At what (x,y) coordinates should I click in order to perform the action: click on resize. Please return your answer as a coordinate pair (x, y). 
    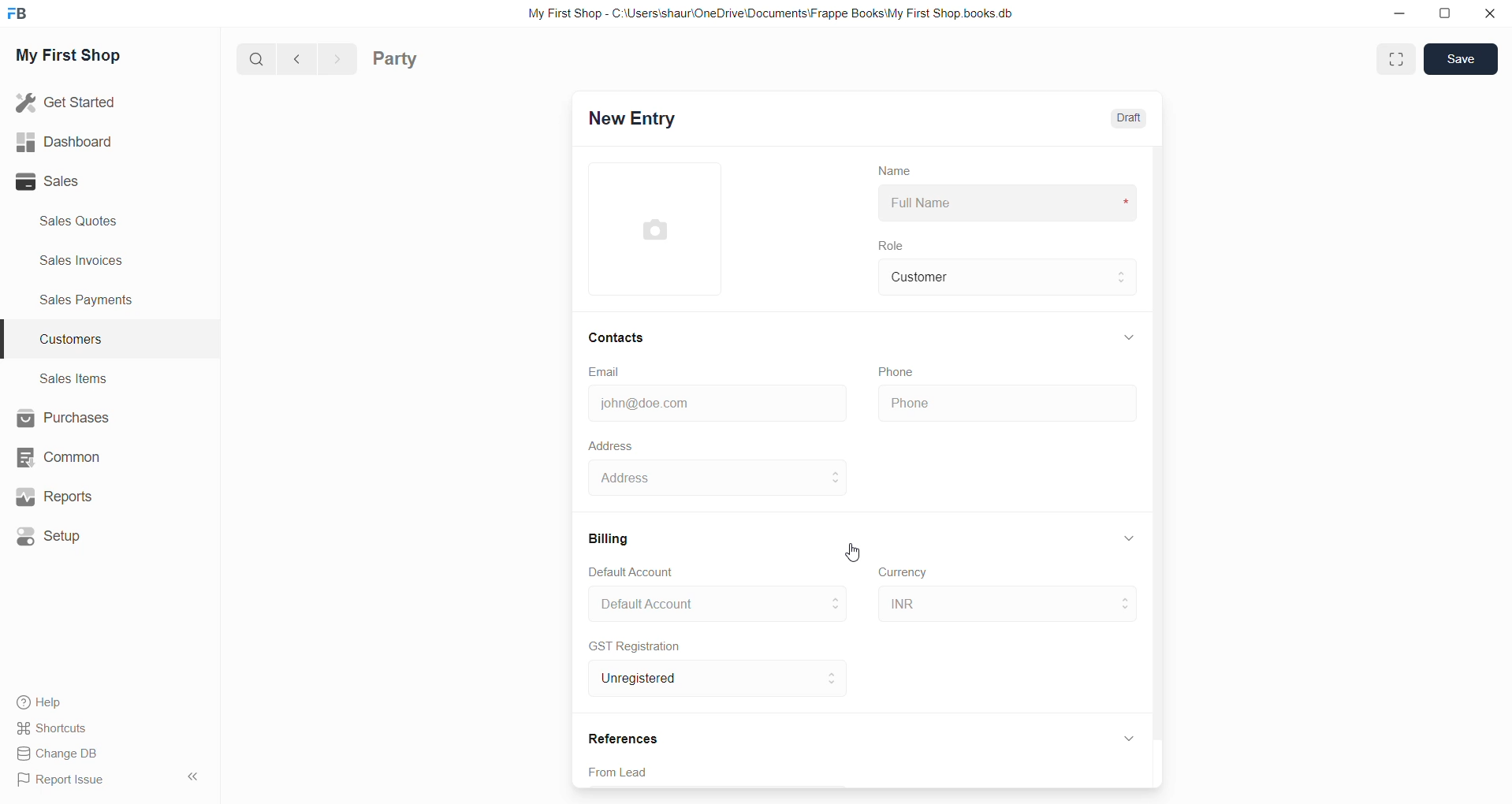
    Looking at the image, I should click on (1447, 16).